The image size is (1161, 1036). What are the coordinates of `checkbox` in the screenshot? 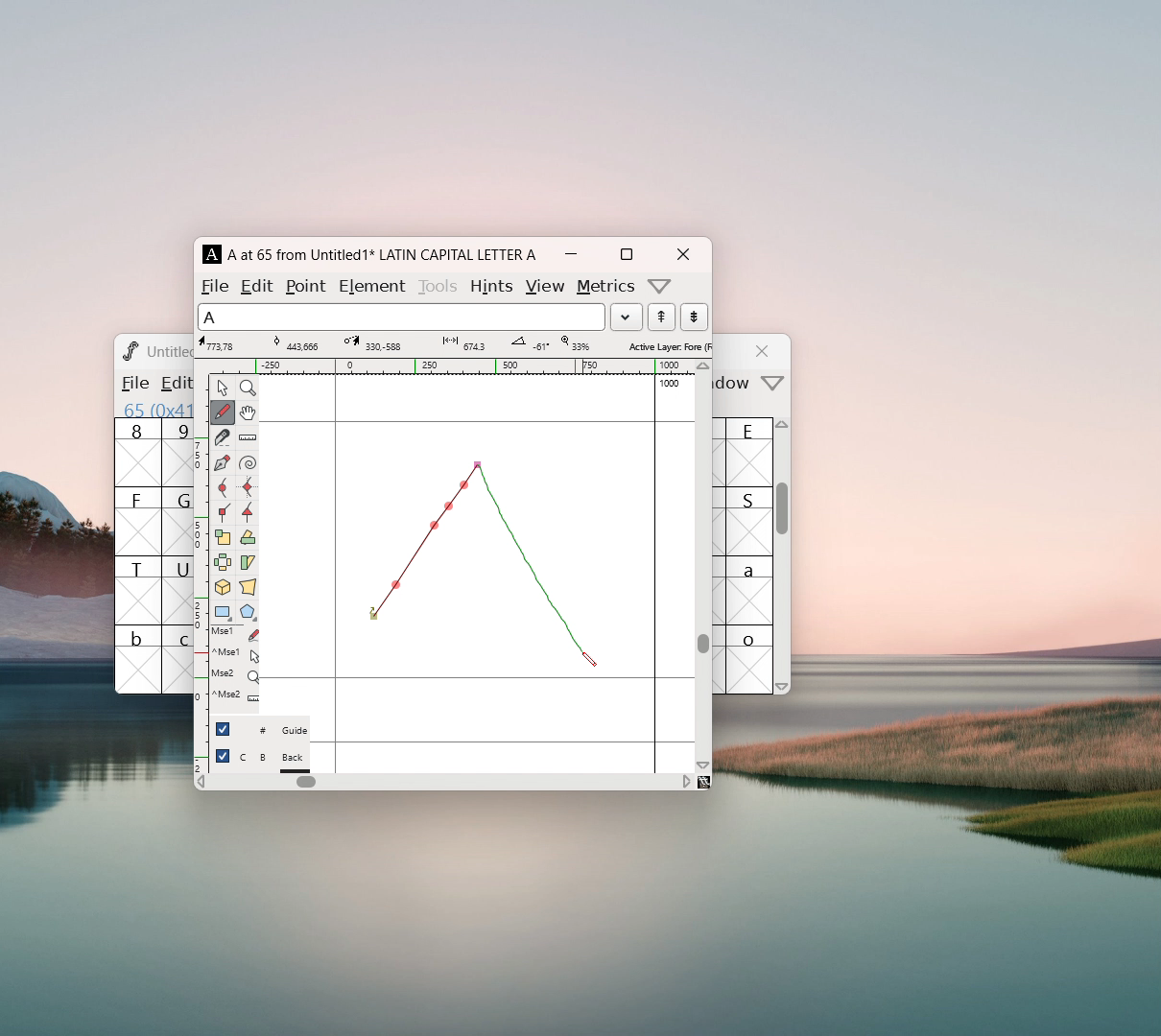 It's located at (223, 756).